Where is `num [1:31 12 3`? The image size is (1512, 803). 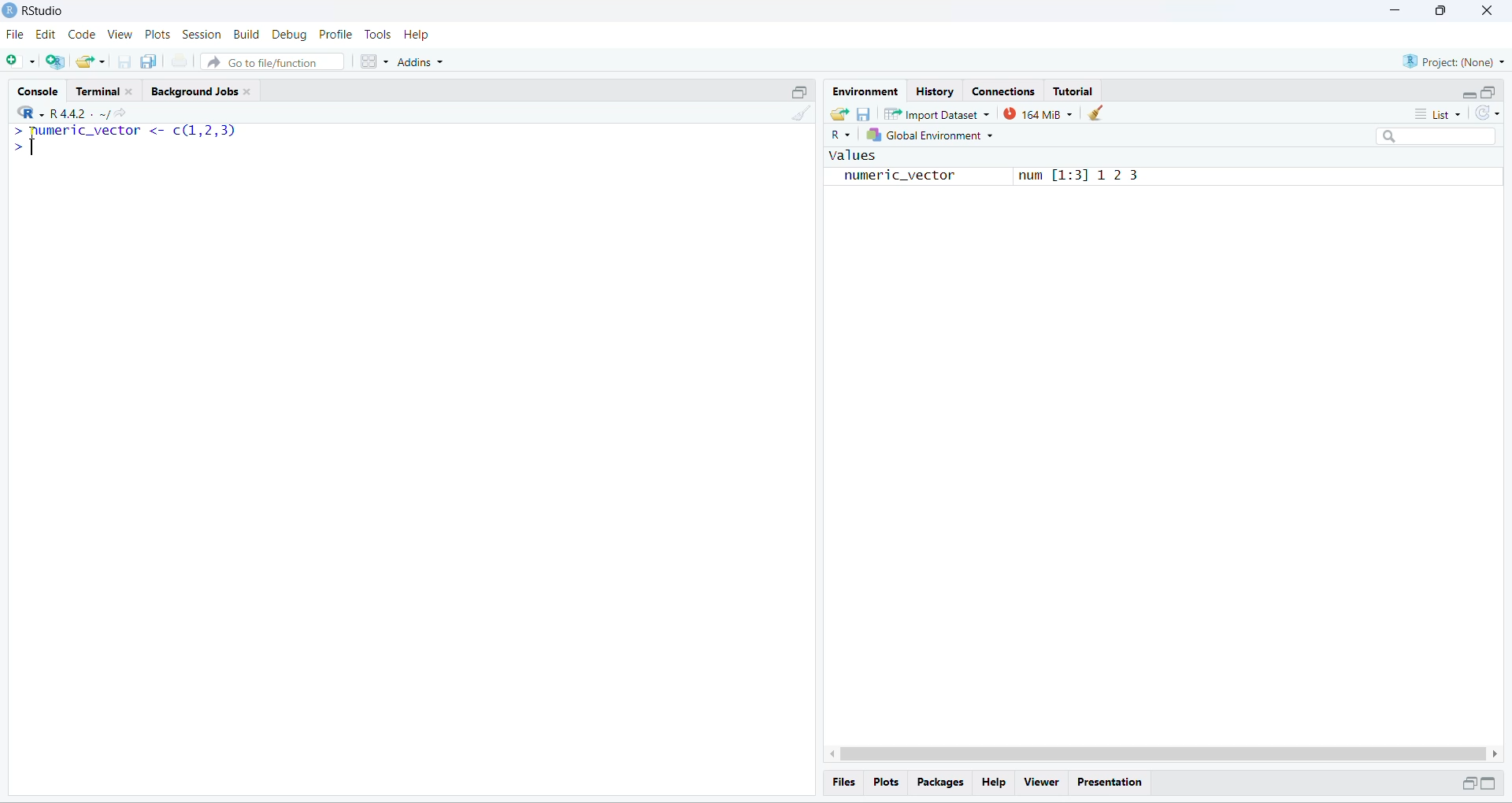
num [1:31 12 3 is located at coordinates (1080, 175).